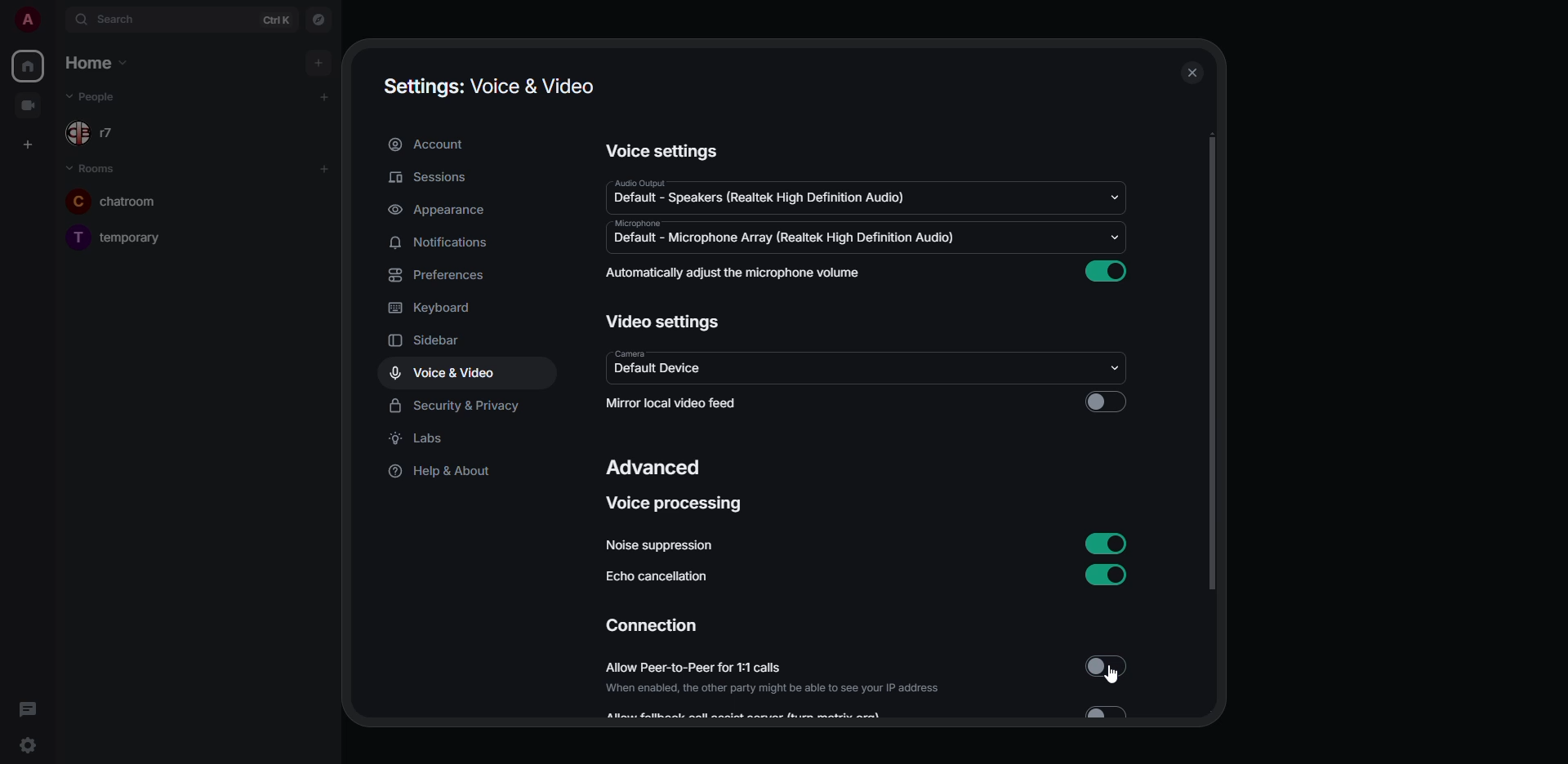 The height and width of the screenshot is (764, 1568). What do you see at coordinates (1117, 198) in the screenshot?
I see `drop down` at bounding box center [1117, 198].